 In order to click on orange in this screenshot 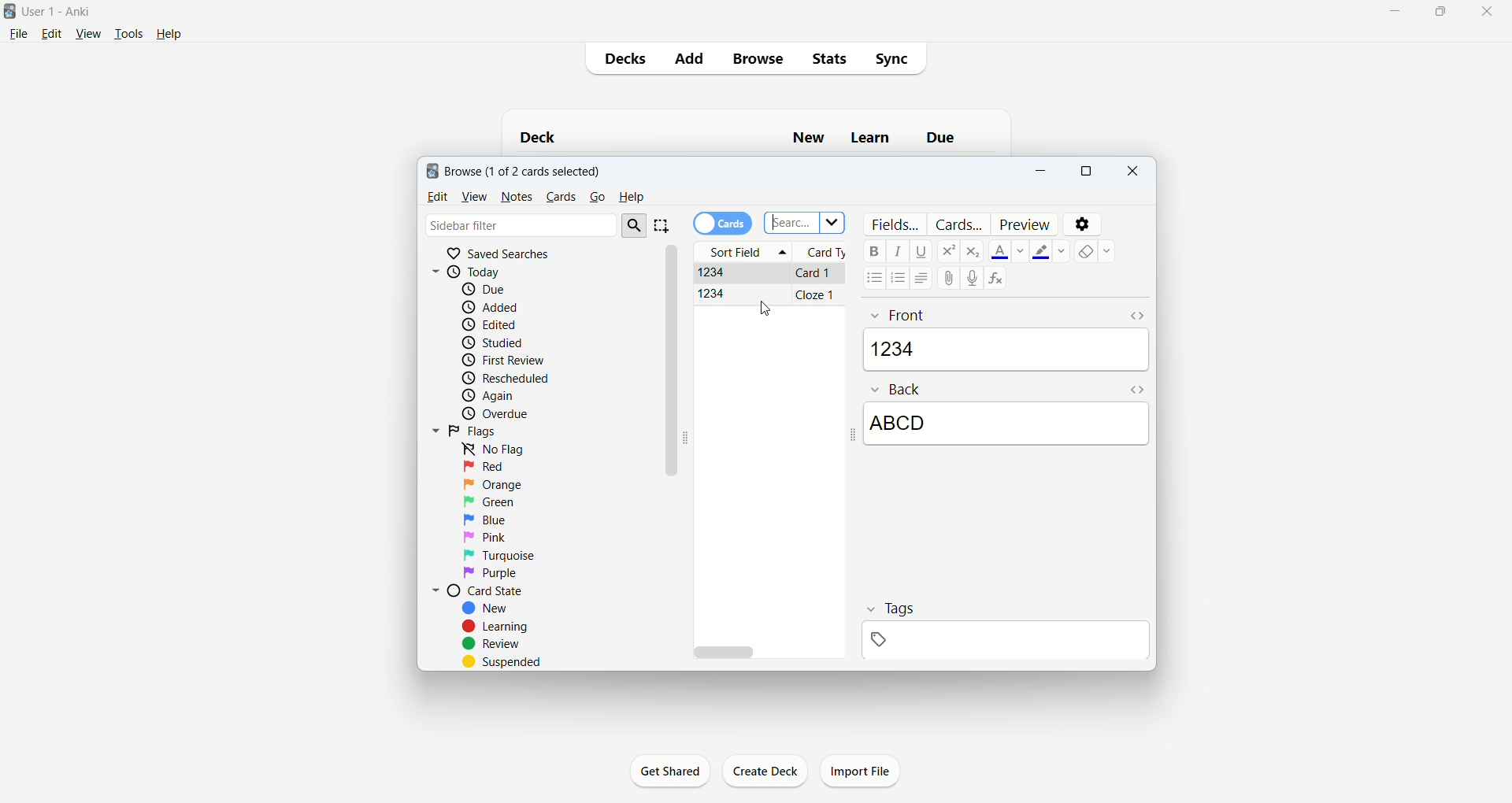, I will do `click(491, 484)`.